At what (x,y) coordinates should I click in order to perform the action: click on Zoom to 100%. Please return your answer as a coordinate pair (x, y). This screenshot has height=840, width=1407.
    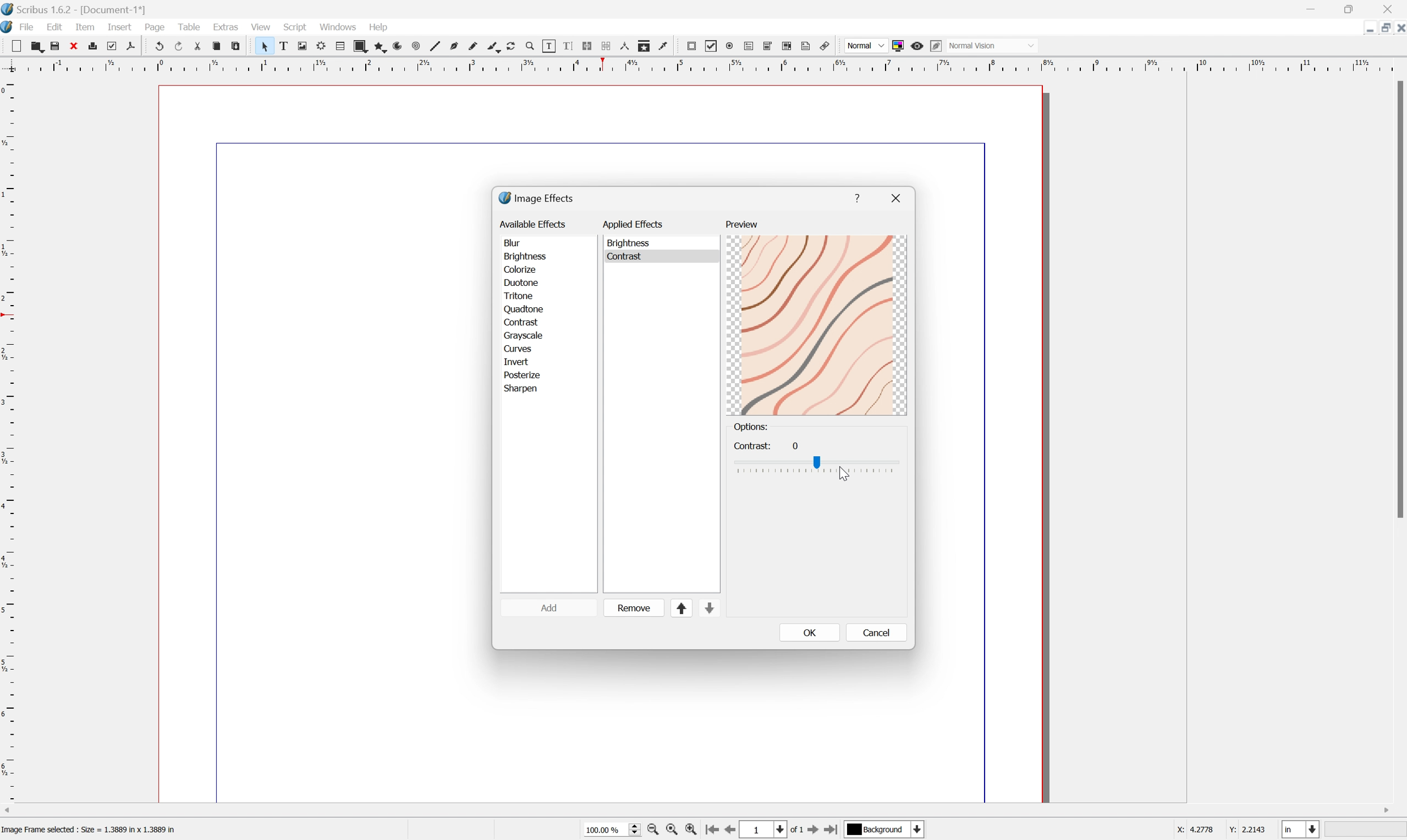
    Looking at the image, I should click on (674, 830).